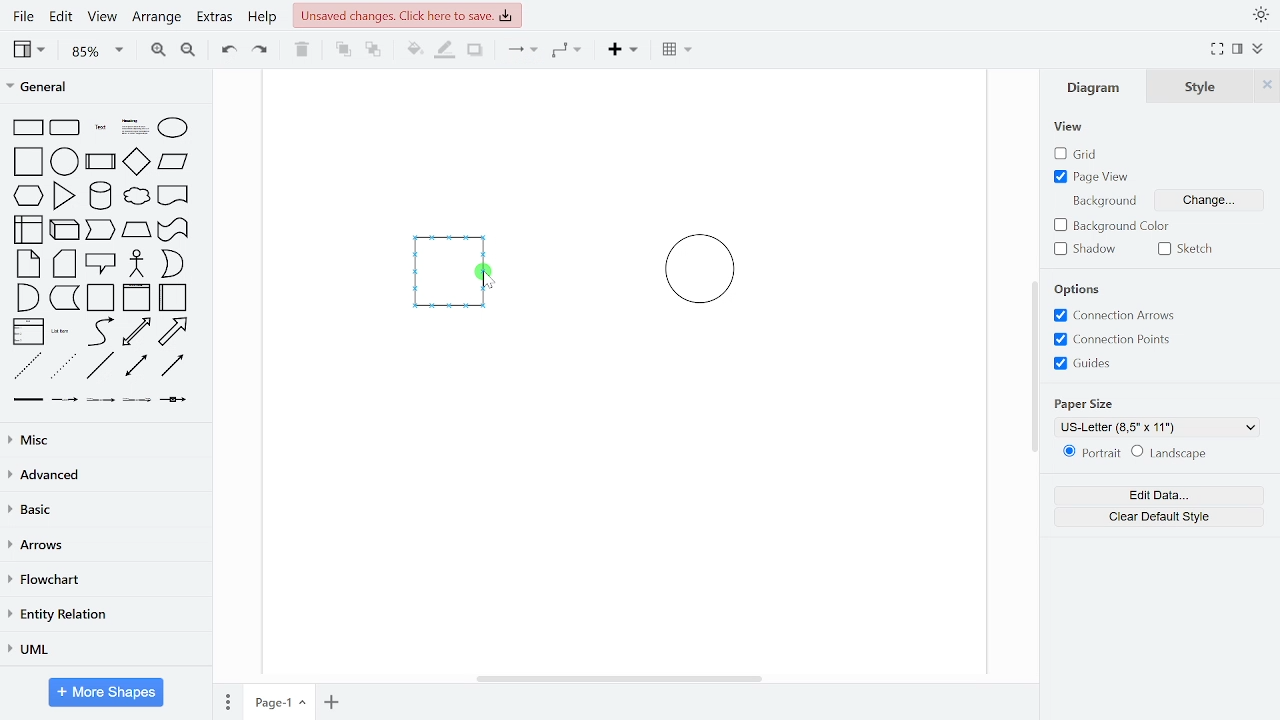 Image resolution: width=1280 pixels, height=720 pixels. What do you see at coordinates (614, 311) in the screenshot?
I see `current diagram` at bounding box center [614, 311].